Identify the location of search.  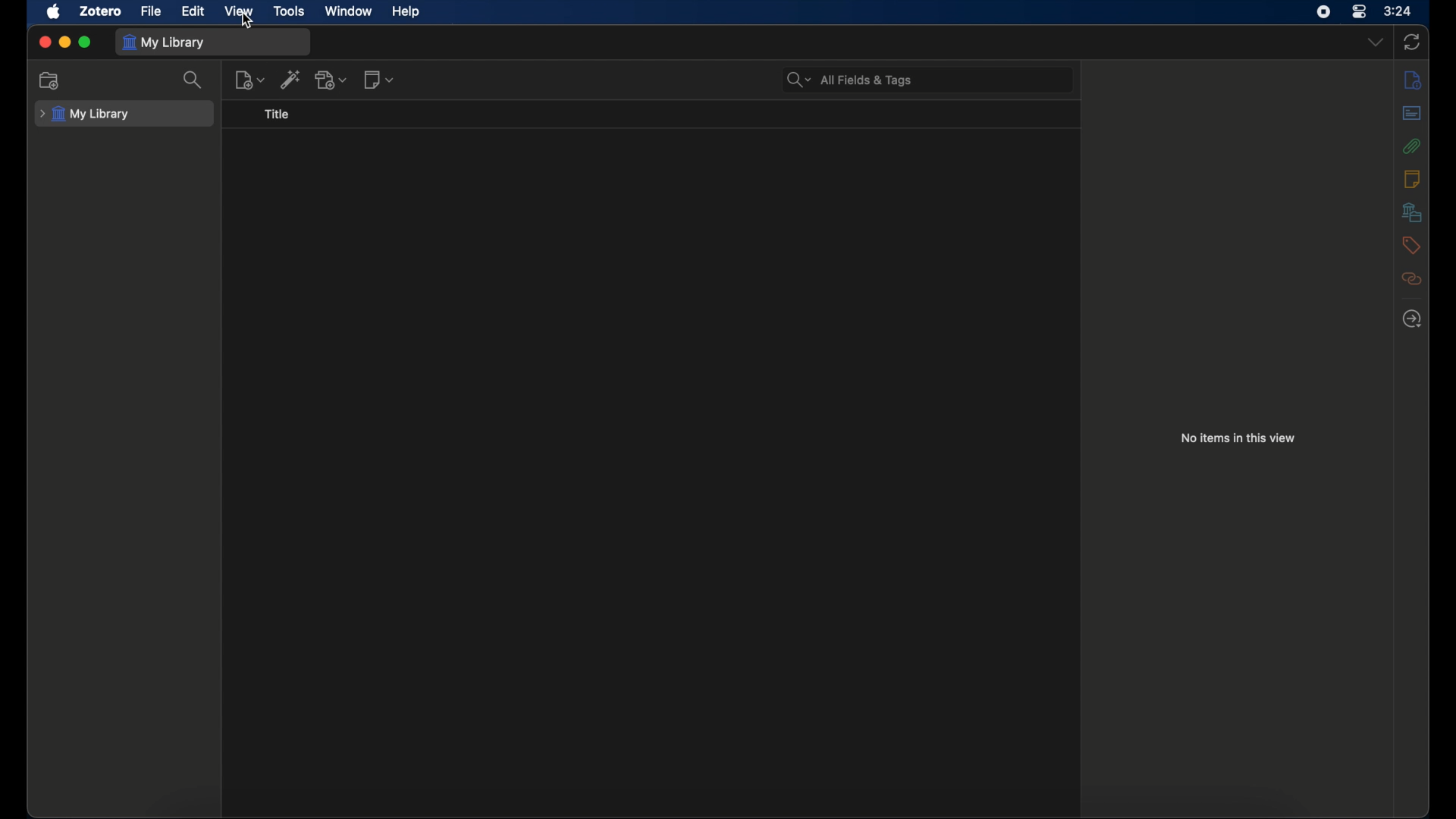
(194, 80).